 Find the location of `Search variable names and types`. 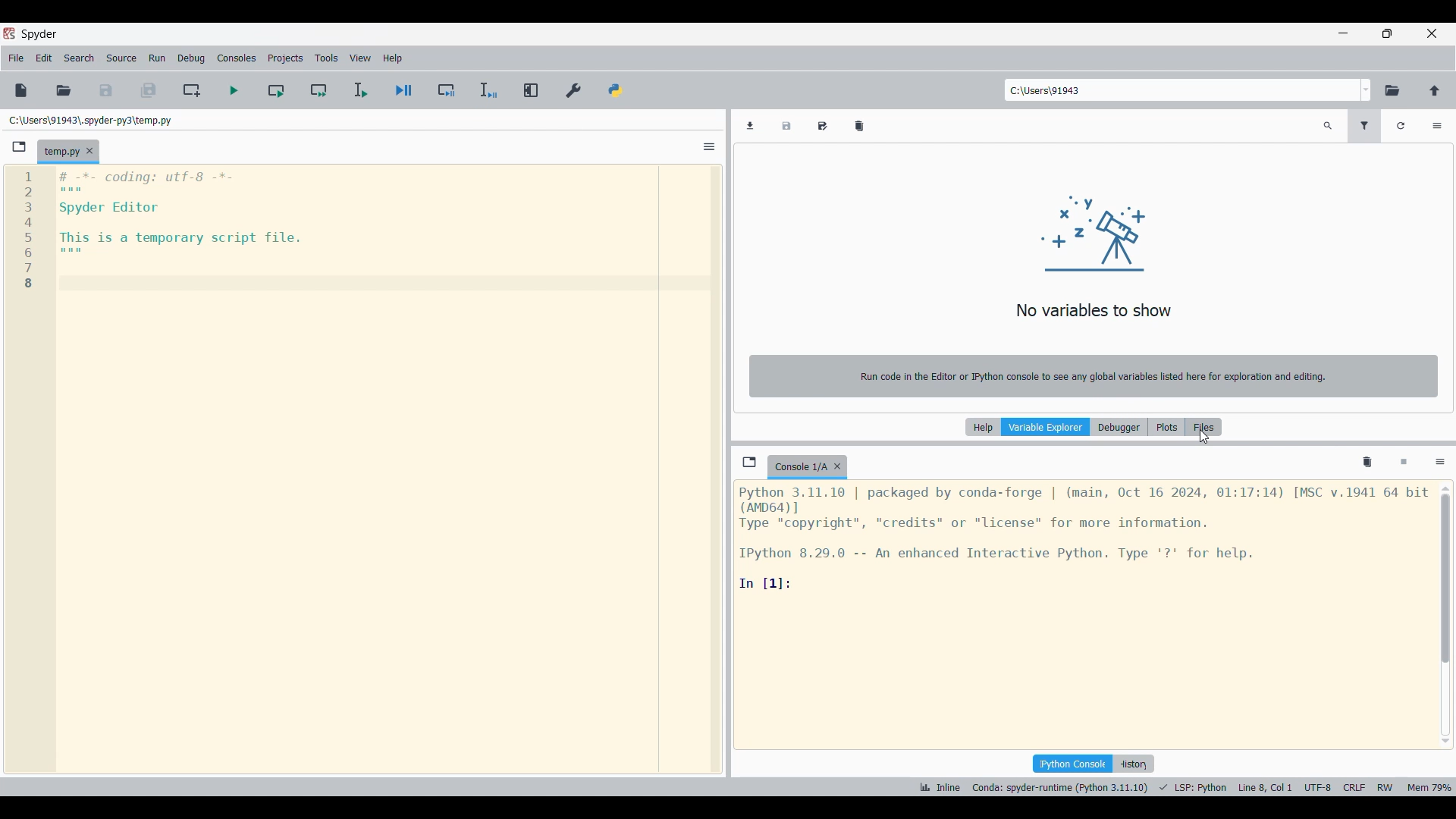

Search variable names and types is located at coordinates (1328, 126).